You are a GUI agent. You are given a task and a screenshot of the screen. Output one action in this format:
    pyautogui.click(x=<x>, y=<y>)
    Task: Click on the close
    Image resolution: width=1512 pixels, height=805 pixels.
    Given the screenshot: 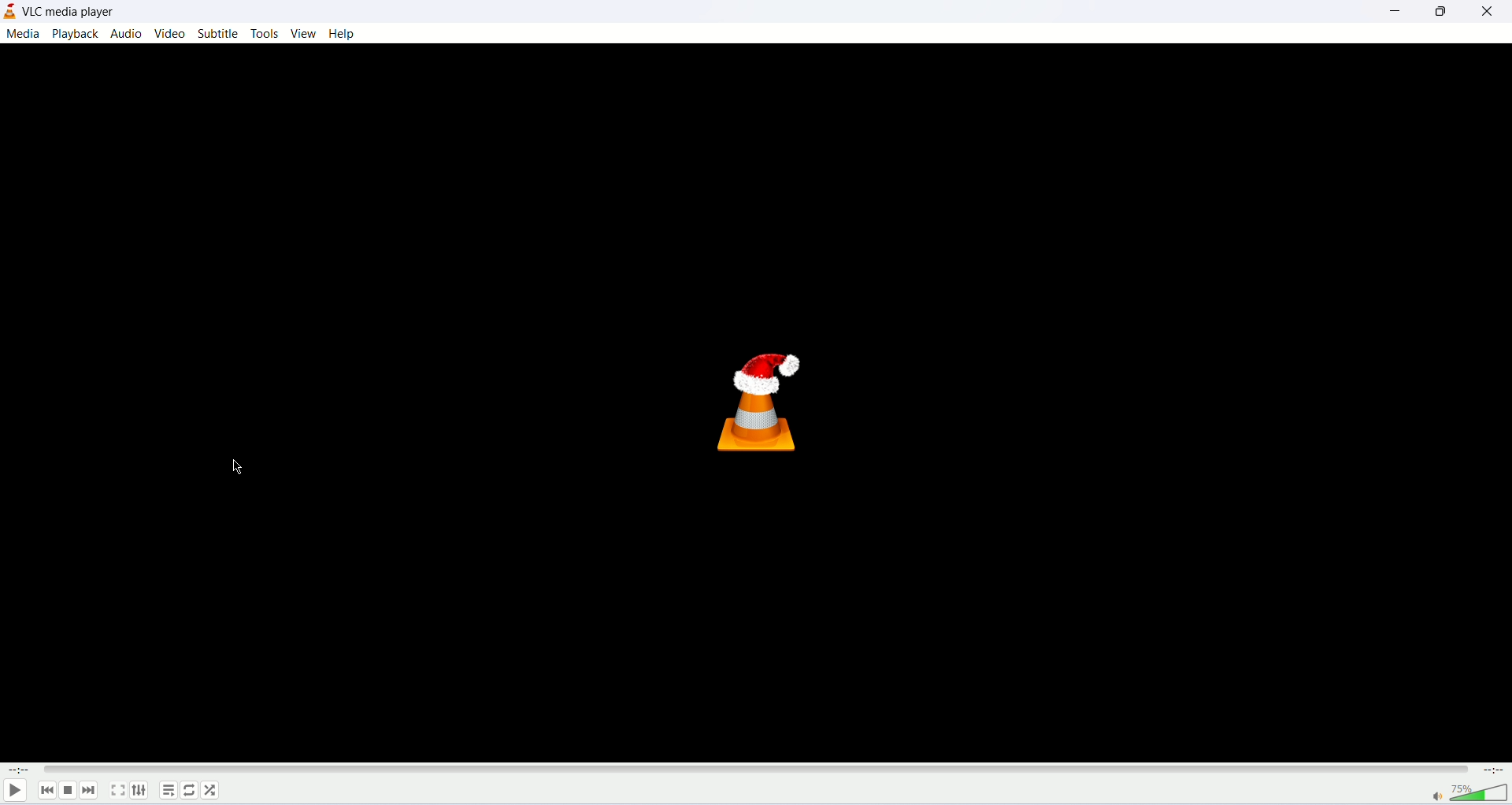 What is the action you would take?
    pyautogui.click(x=1488, y=12)
    